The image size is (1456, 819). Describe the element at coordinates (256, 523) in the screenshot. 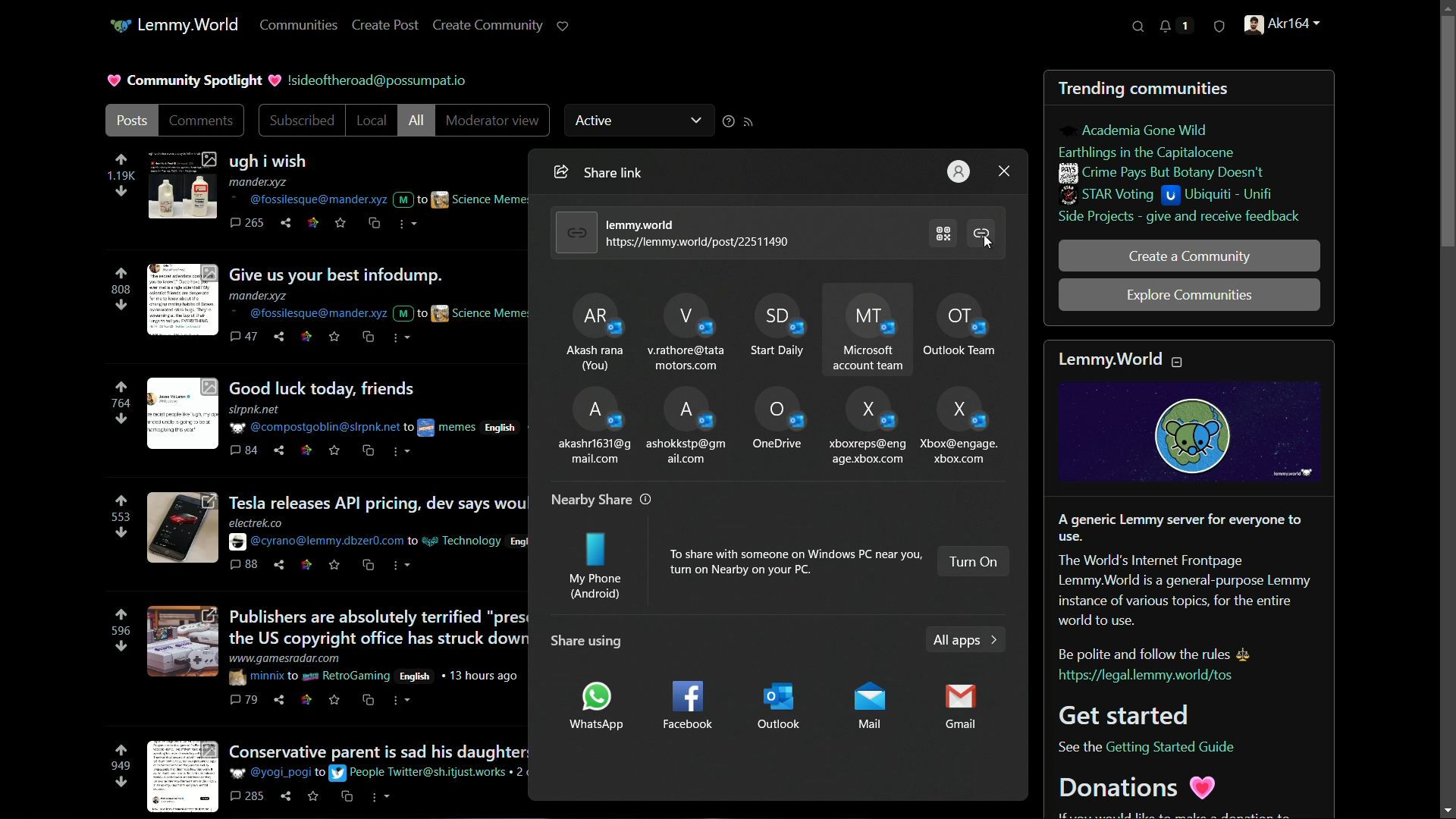

I see `electrek.co` at that location.